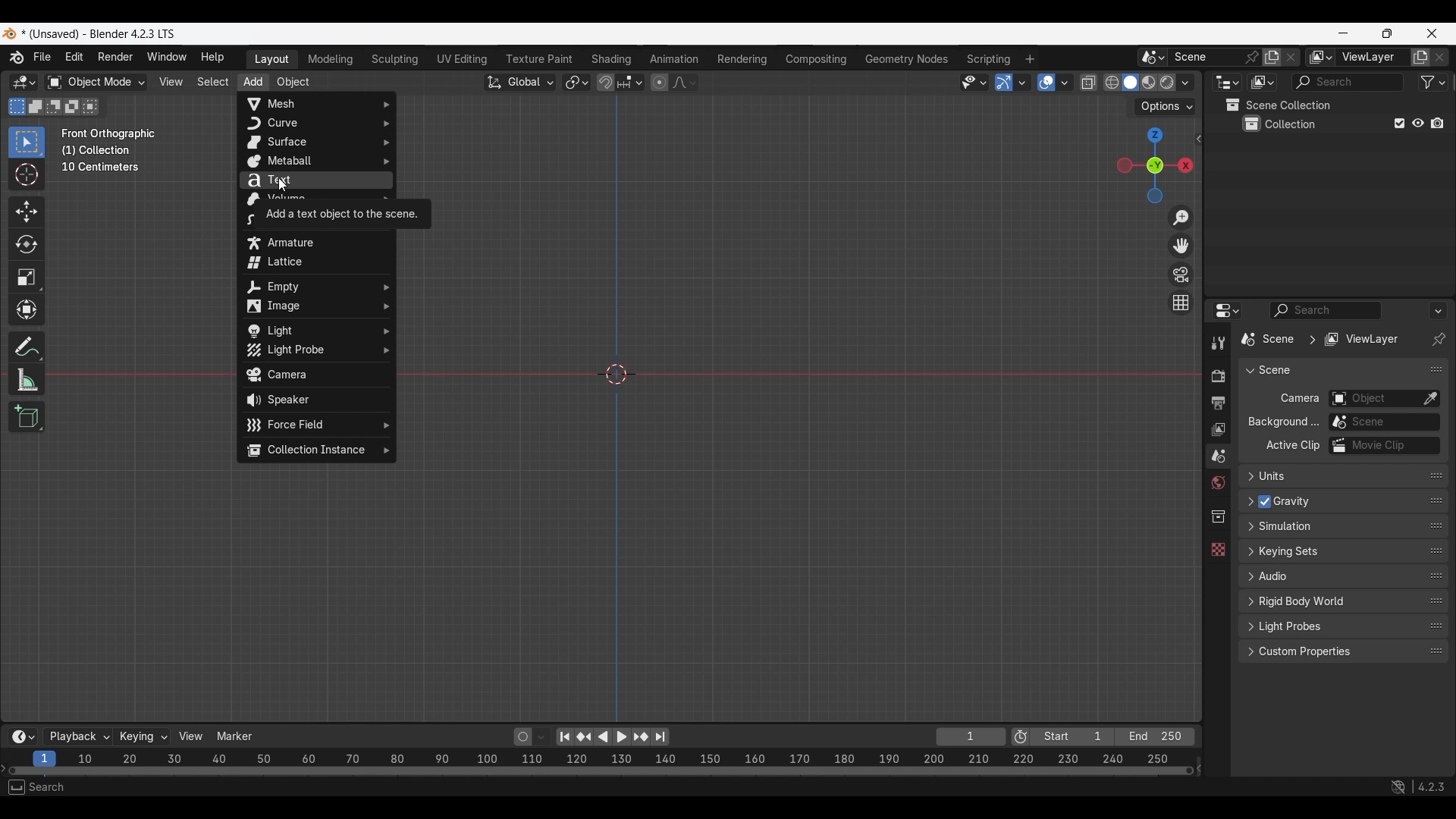 The image size is (1456, 819). Describe the element at coordinates (1291, 58) in the screenshot. I see `Delete scene` at that location.